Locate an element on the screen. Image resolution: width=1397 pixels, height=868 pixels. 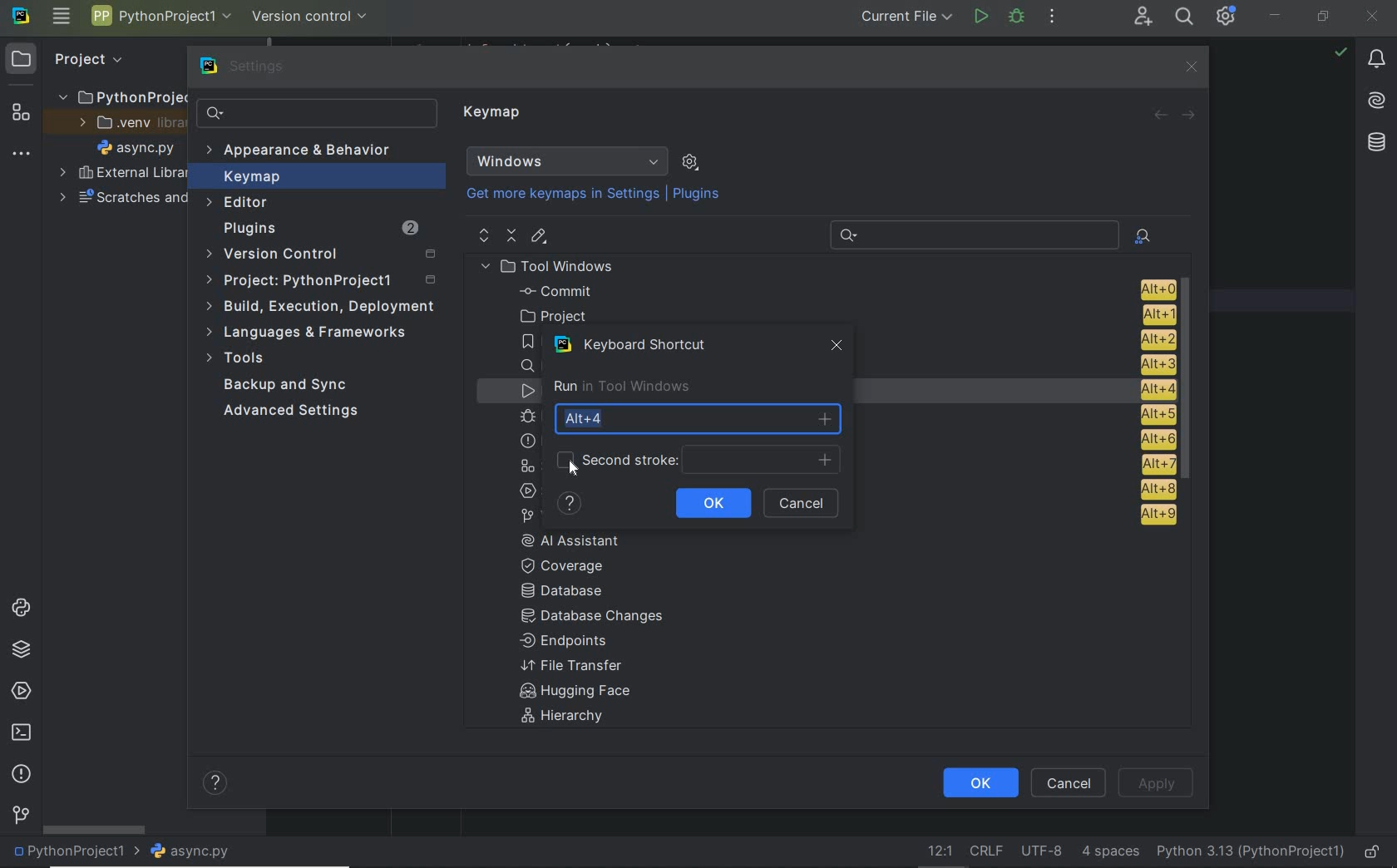
Cancel is located at coordinates (1071, 782).